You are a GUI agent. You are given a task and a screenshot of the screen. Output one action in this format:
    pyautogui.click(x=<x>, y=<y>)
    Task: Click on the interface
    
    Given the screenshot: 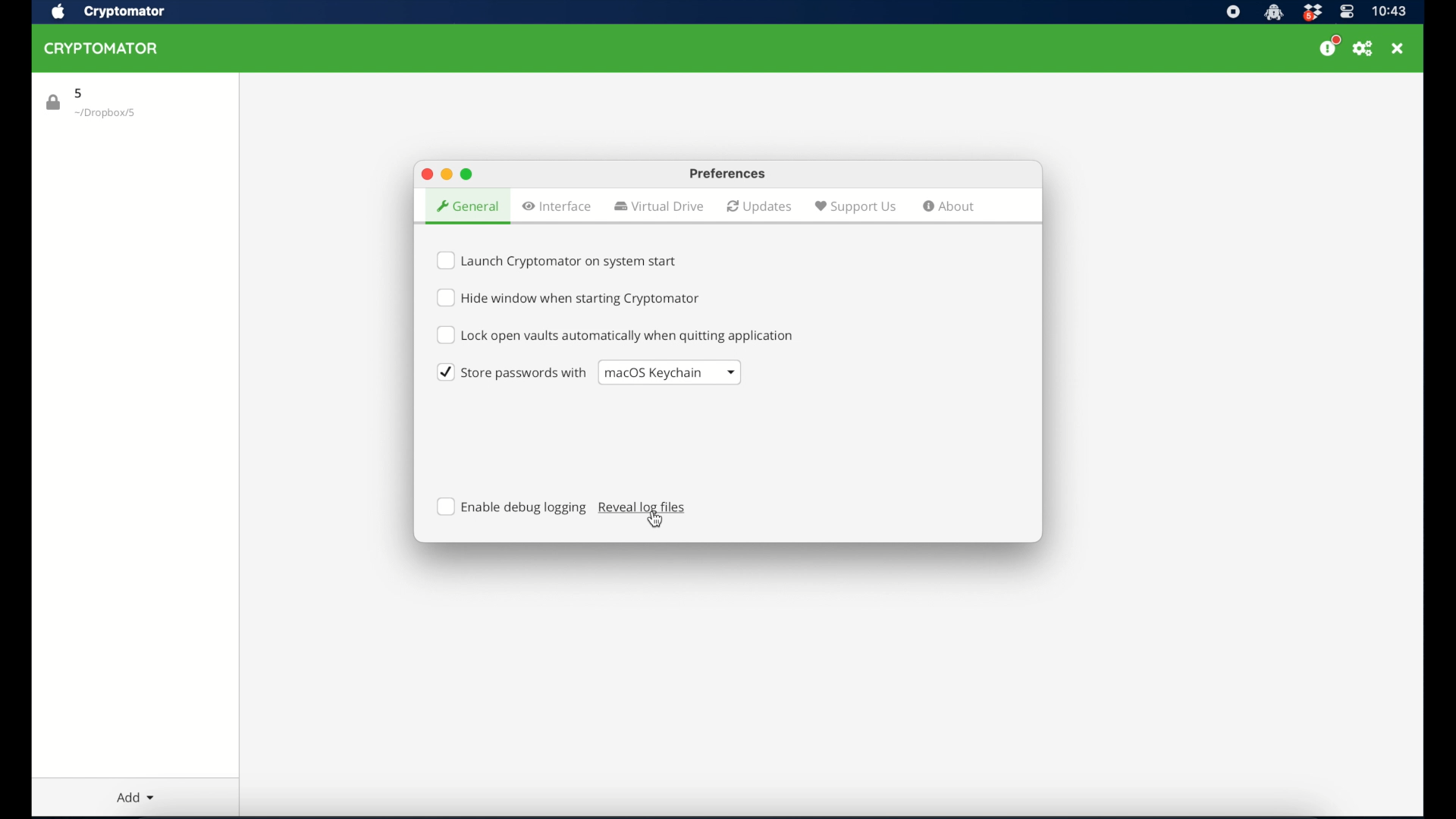 What is the action you would take?
    pyautogui.click(x=557, y=206)
    